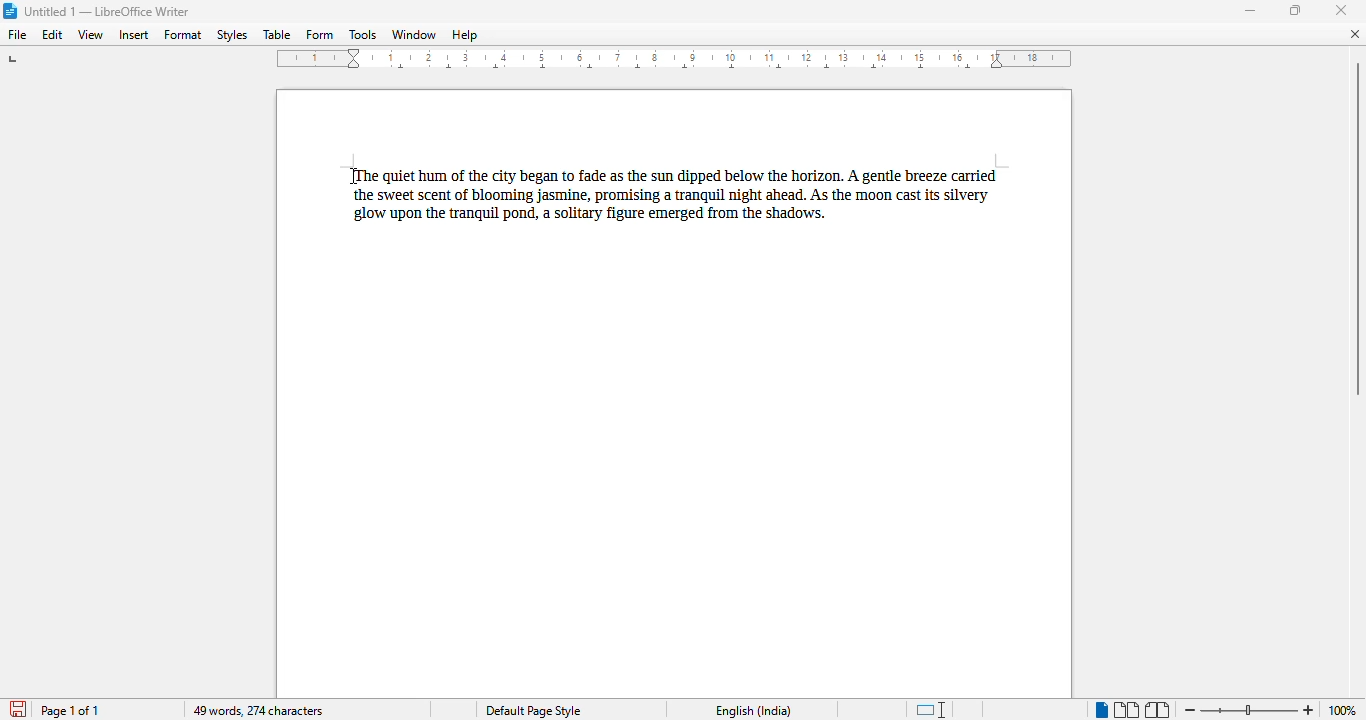  I want to click on book view, so click(1158, 710).